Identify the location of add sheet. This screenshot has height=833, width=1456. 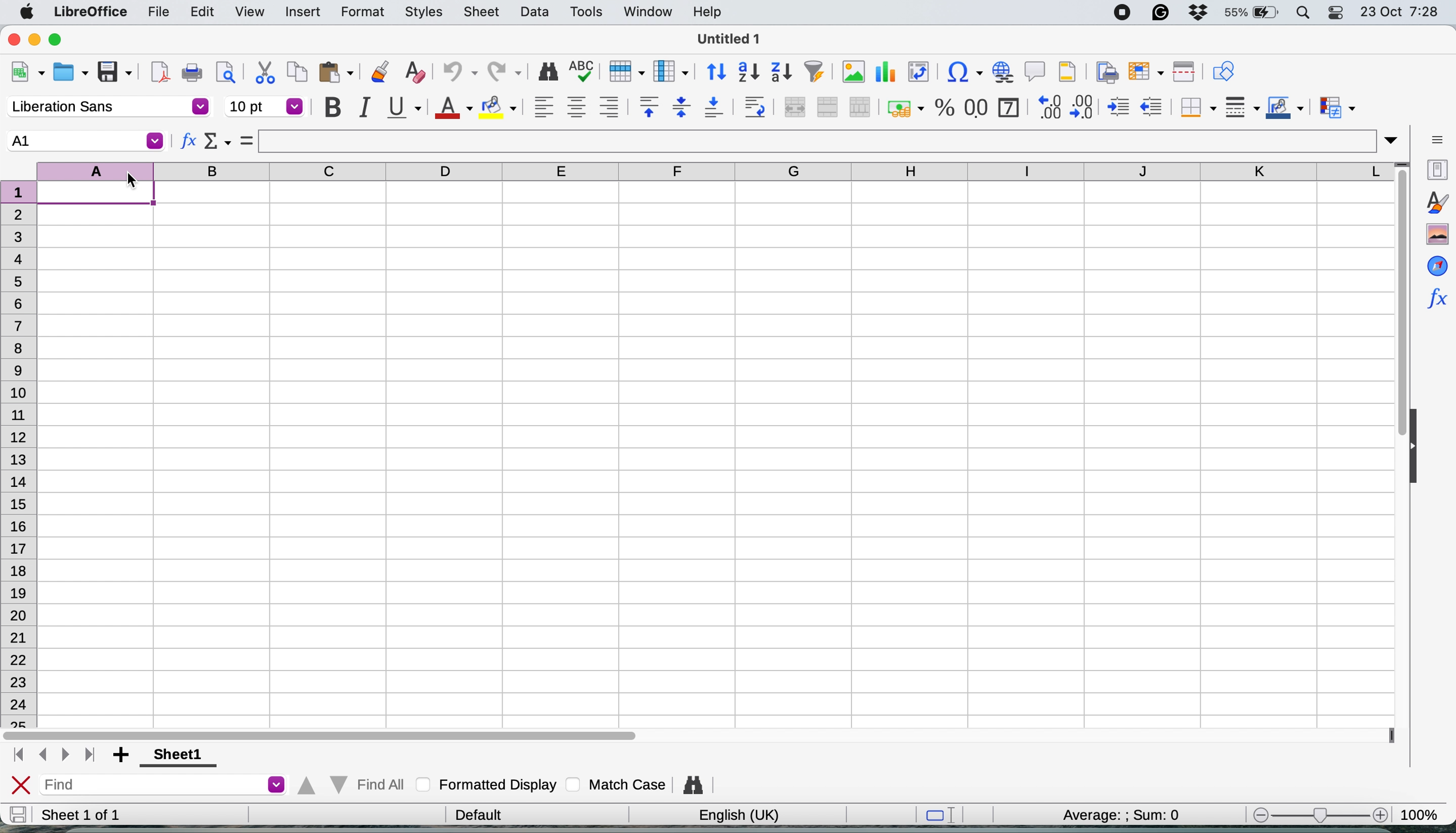
(121, 754).